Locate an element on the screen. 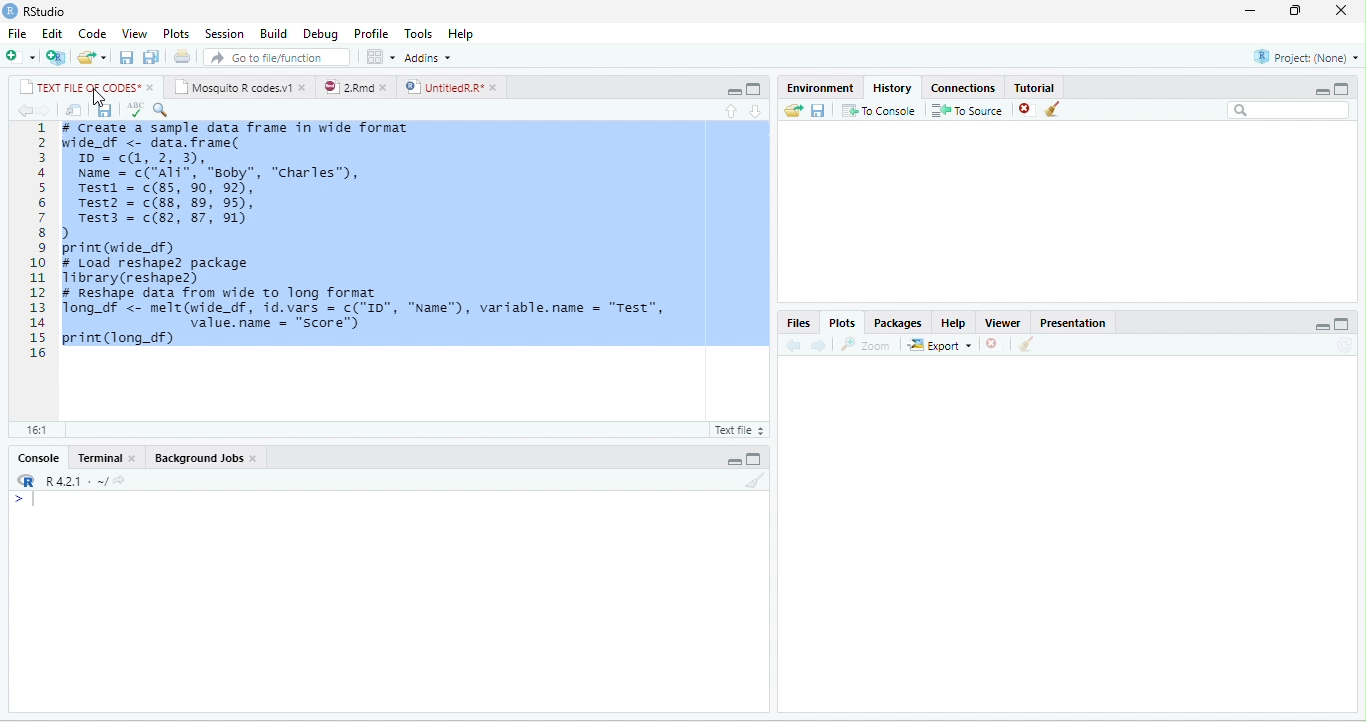 The height and width of the screenshot is (722, 1366). Mosquito R codes.v1 is located at coordinates (232, 86).